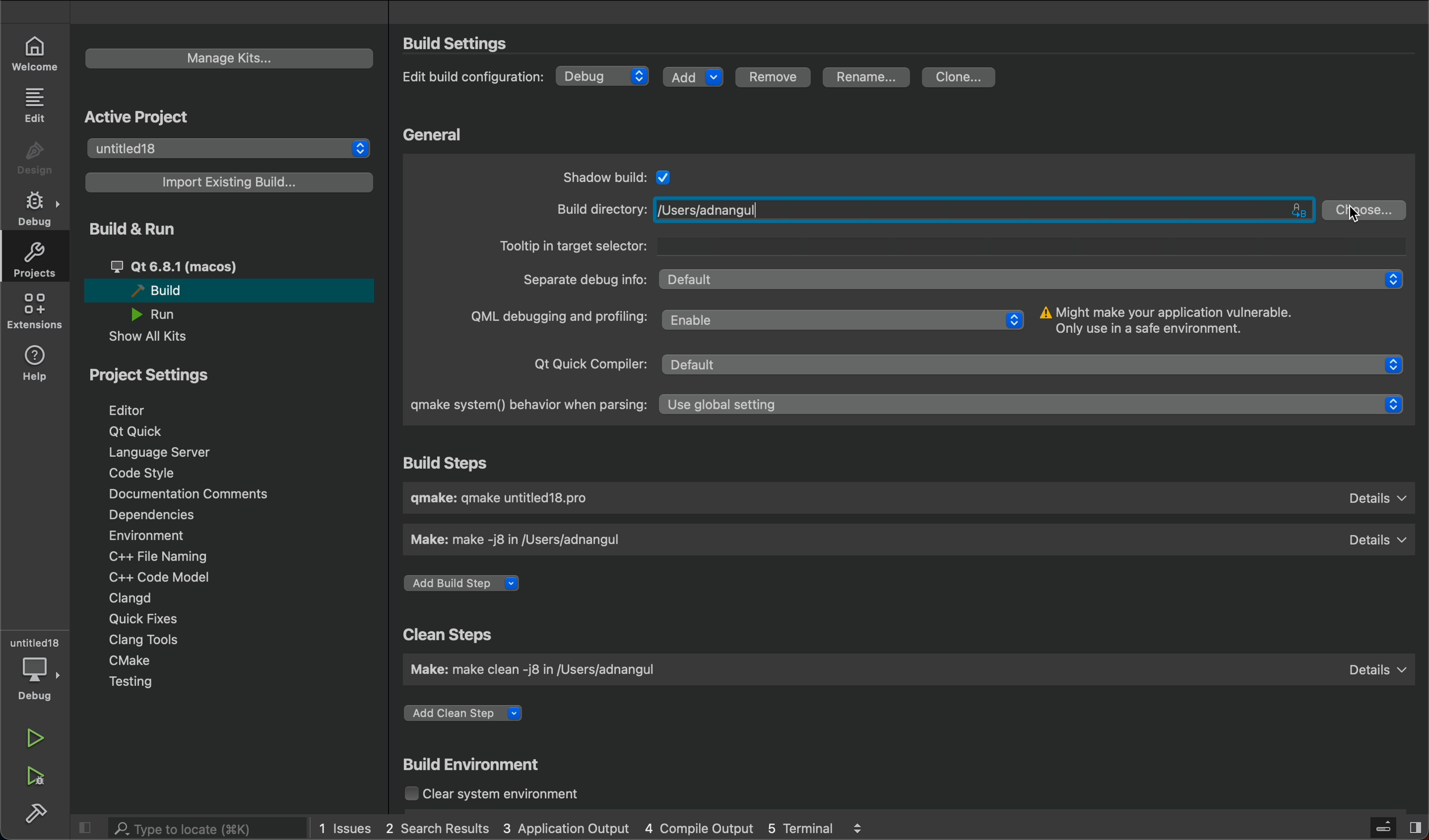  What do you see at coordinates (155, 557) in the screenshot?
I see `C++ file naming` at bounding box center [155, 557].